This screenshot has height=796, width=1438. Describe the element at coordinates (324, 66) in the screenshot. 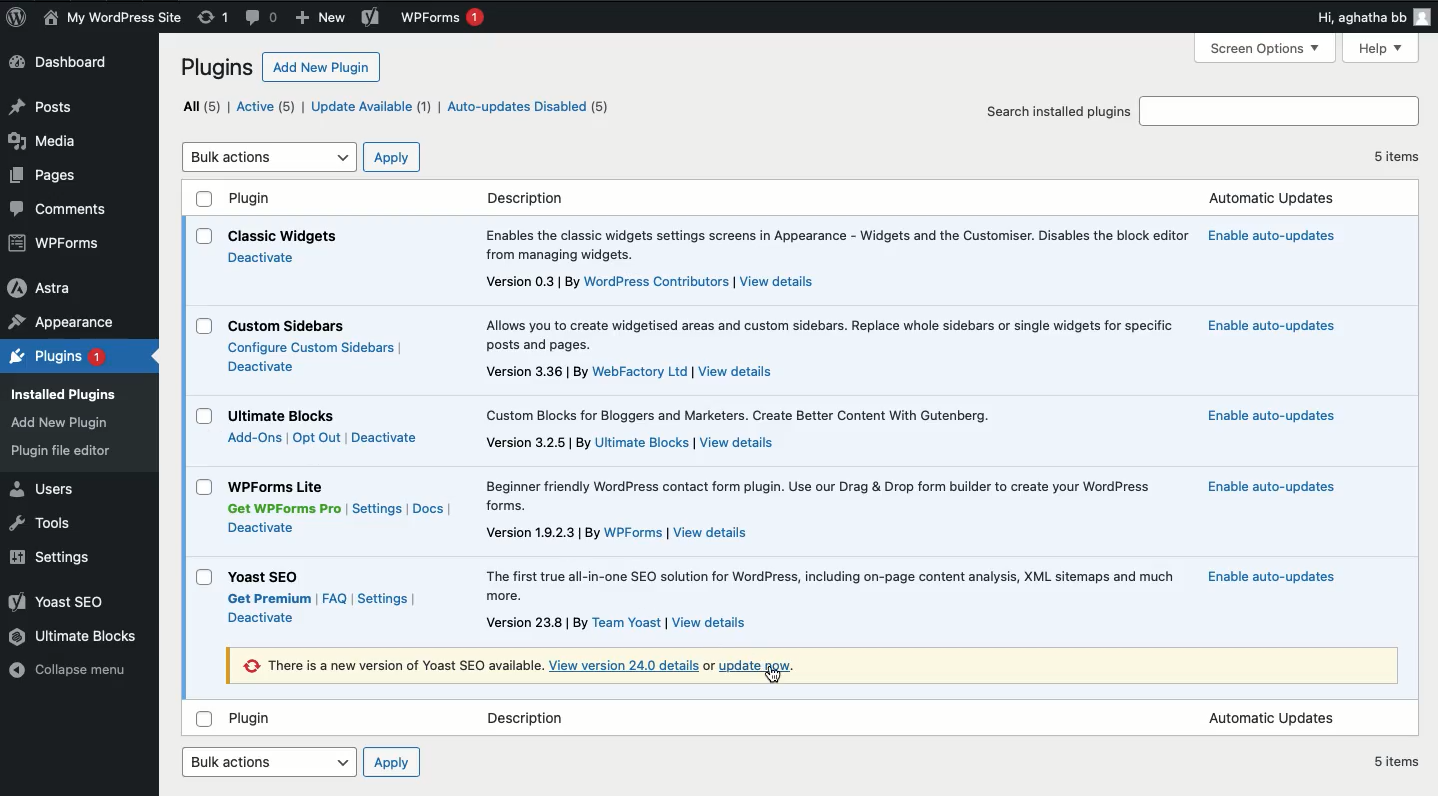

I see `Add new plugin` at that location.